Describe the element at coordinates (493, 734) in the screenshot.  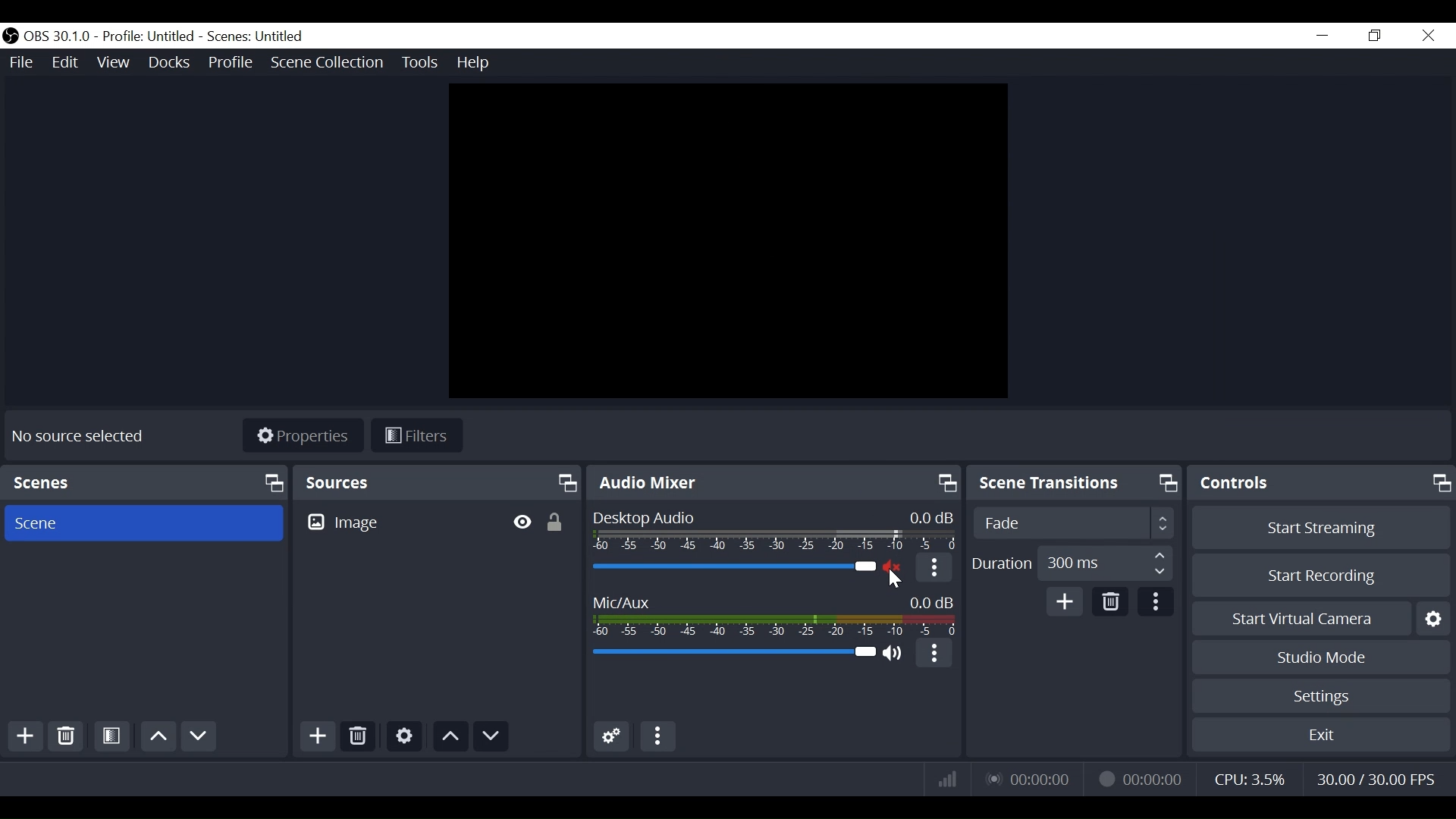
I see `Move Down` at that location.